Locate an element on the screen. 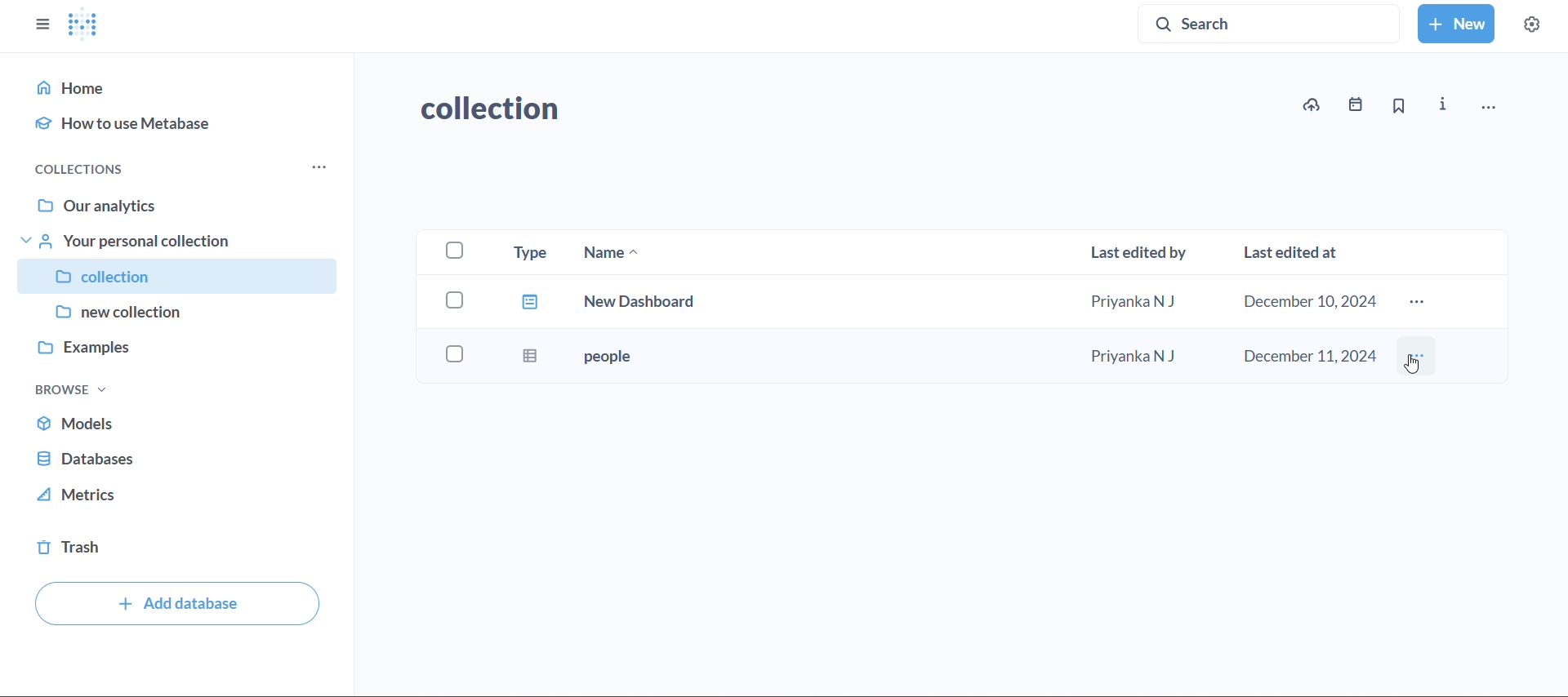 The width and height of the screenshot is (1568, 697). Priyanka N J is located at coordinates (1137, 357).